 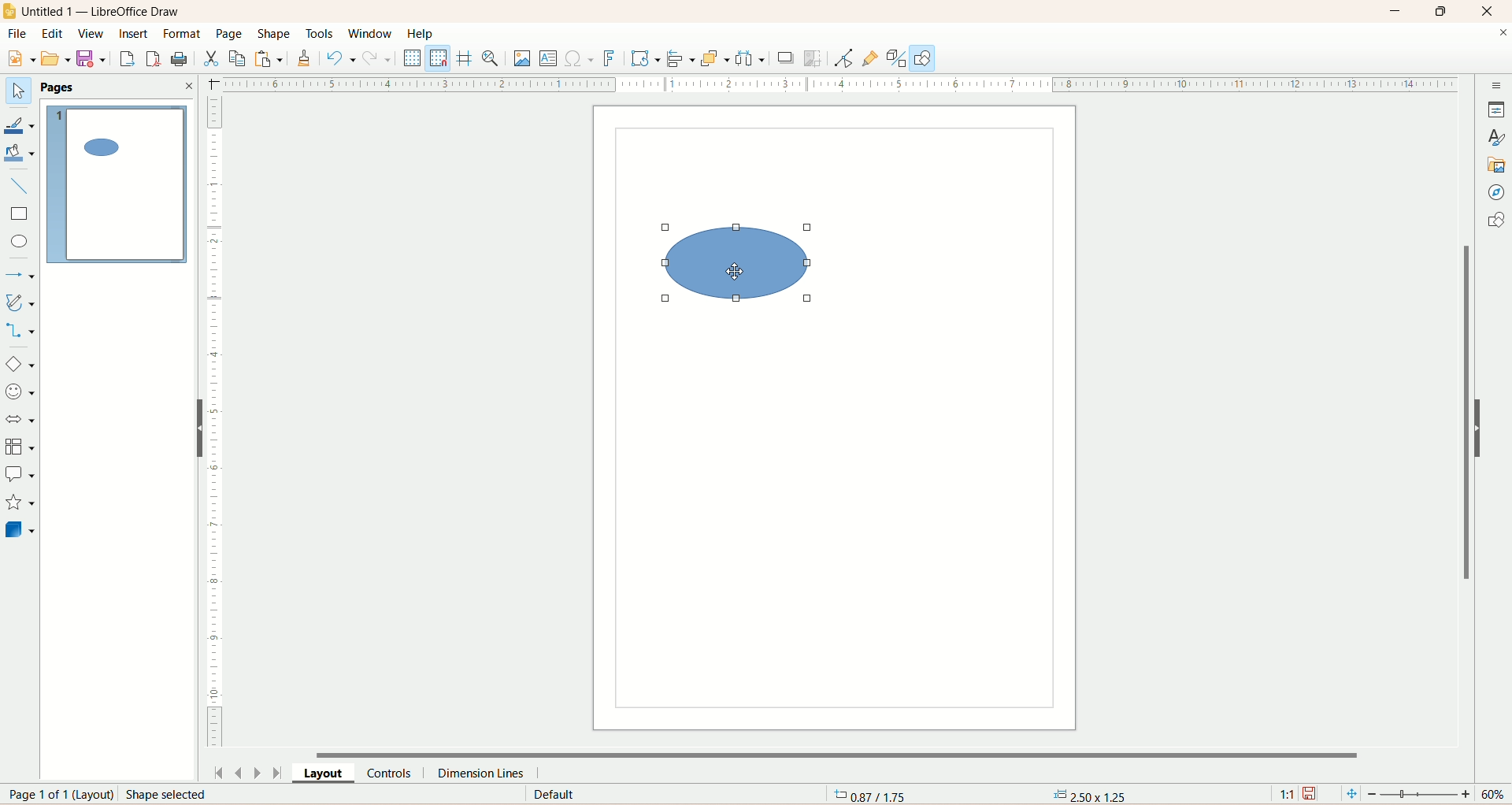 What do you see at coordinates (847, 60) in the screenshot?
I see `point edit mode` at bounding box center [847, 60].